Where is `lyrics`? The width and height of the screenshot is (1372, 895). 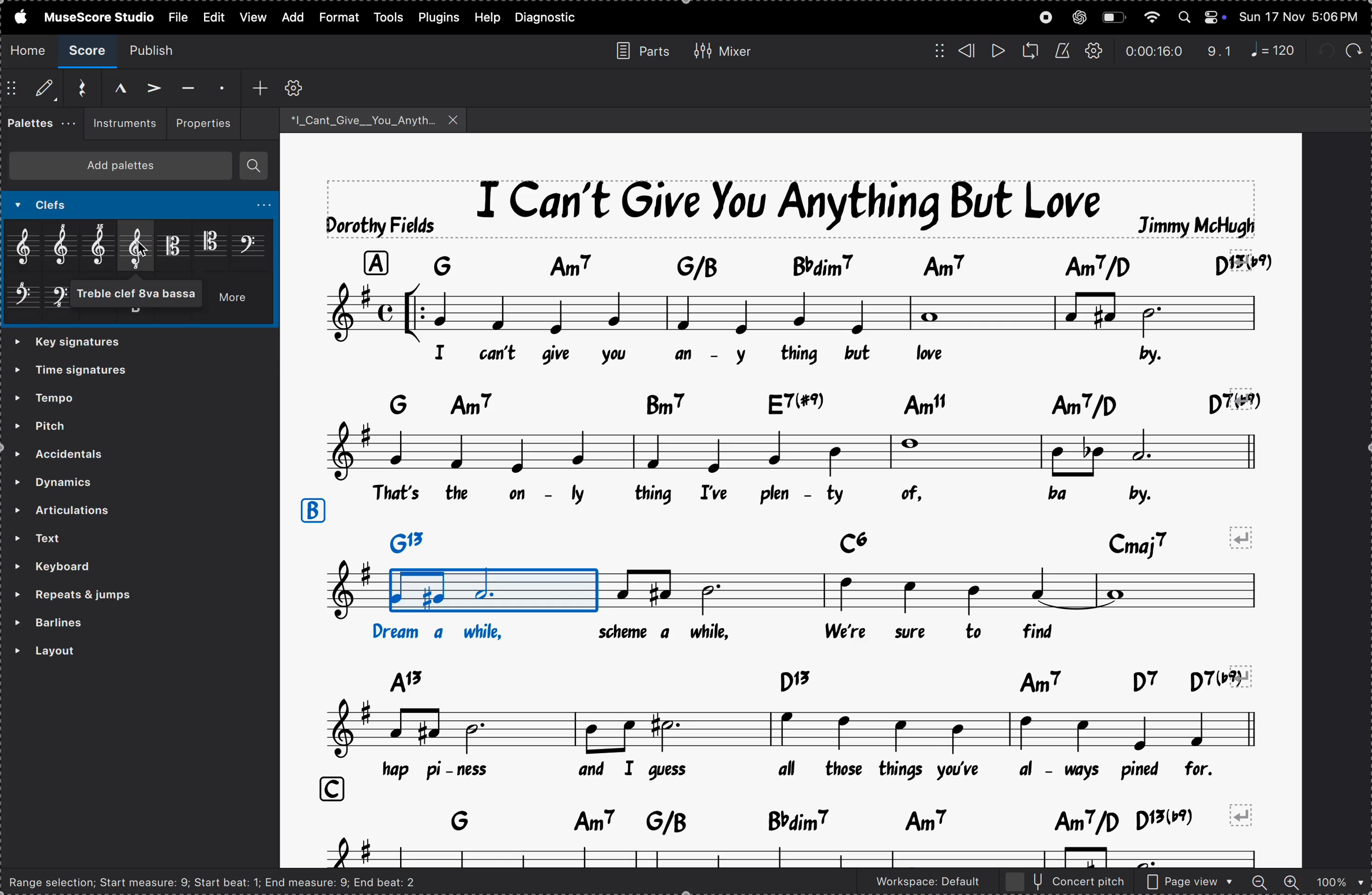
lyrics is located at coordinates (798, 495).